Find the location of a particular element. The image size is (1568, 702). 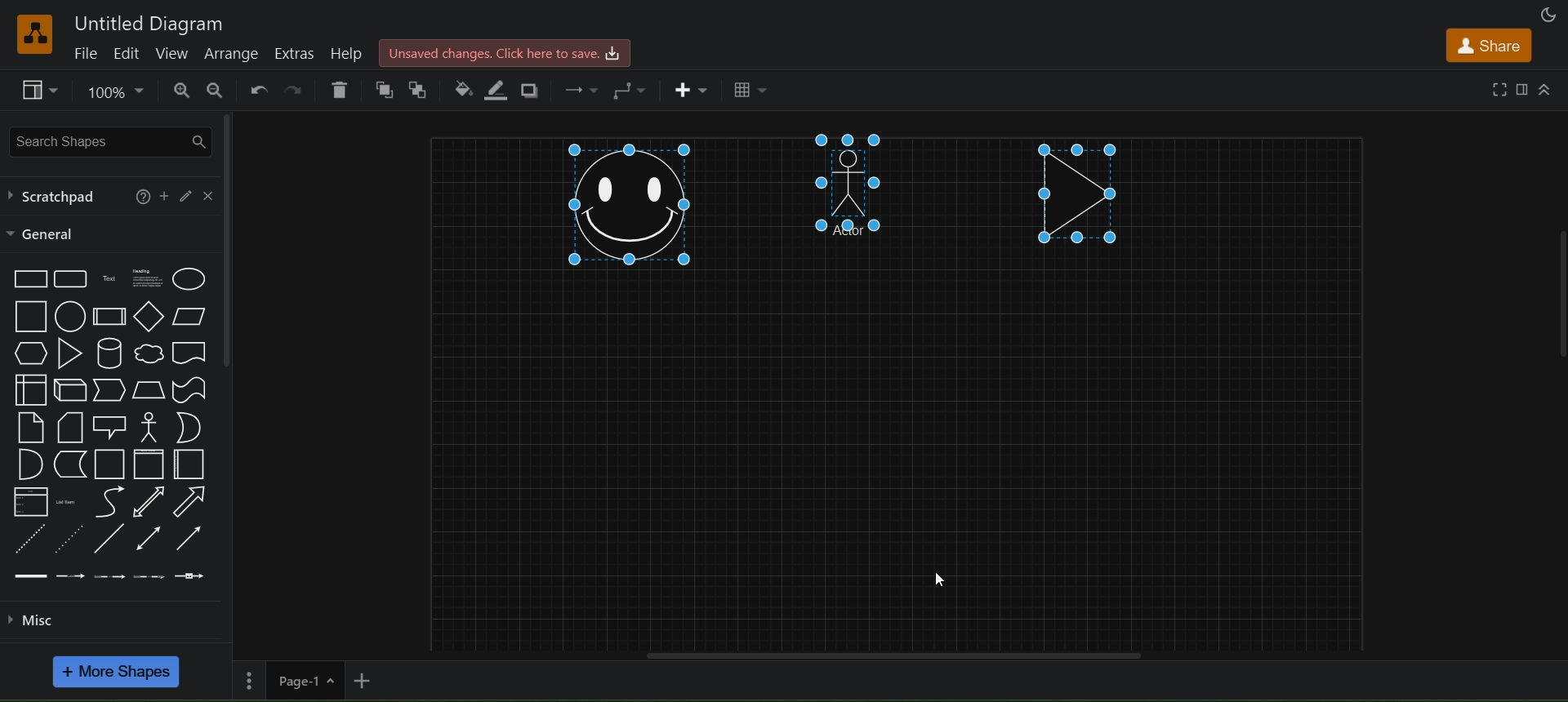

container is located at coordinates (111, 464).